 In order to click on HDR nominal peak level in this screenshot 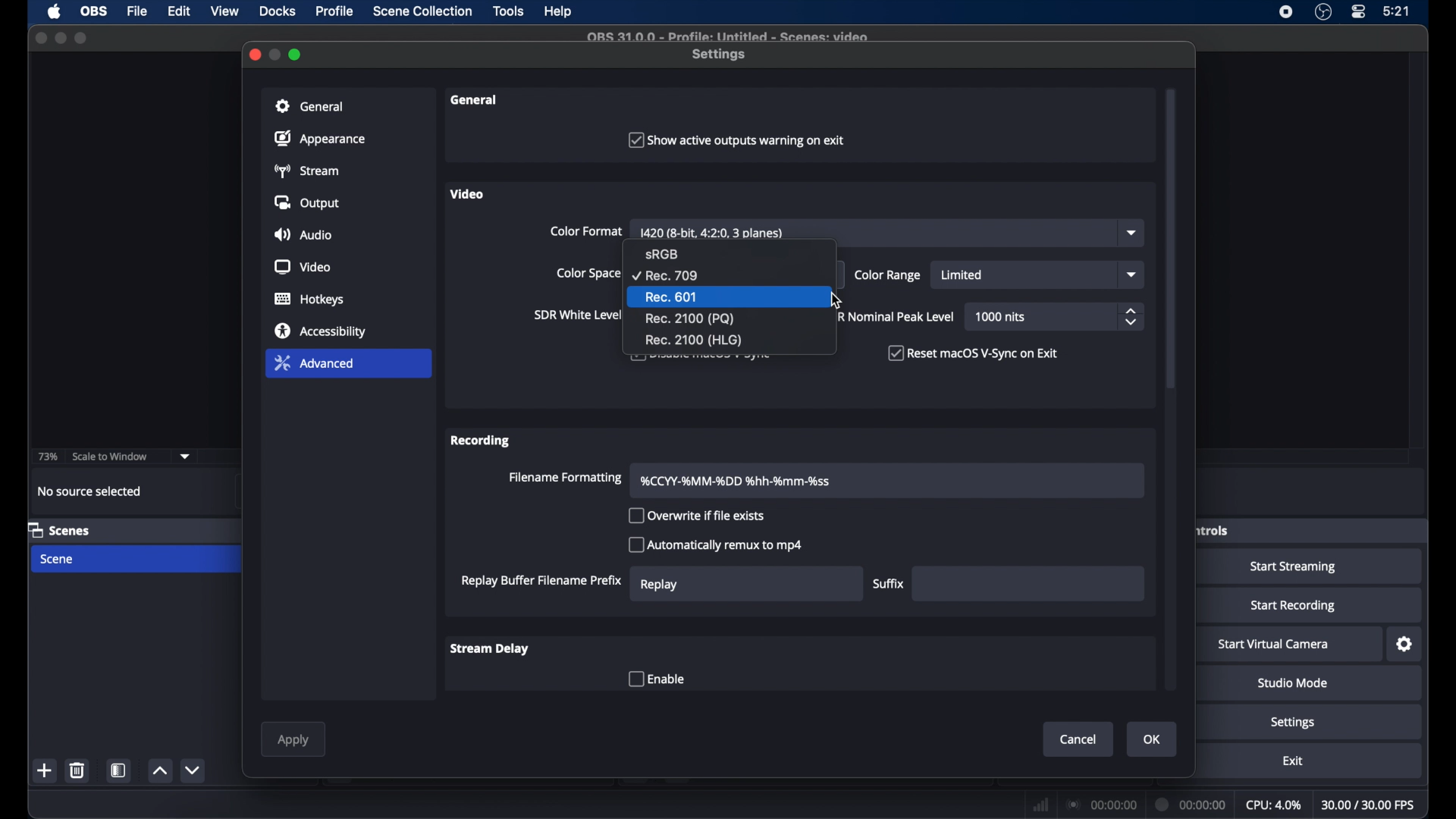, I will do `click(896, 316)`.